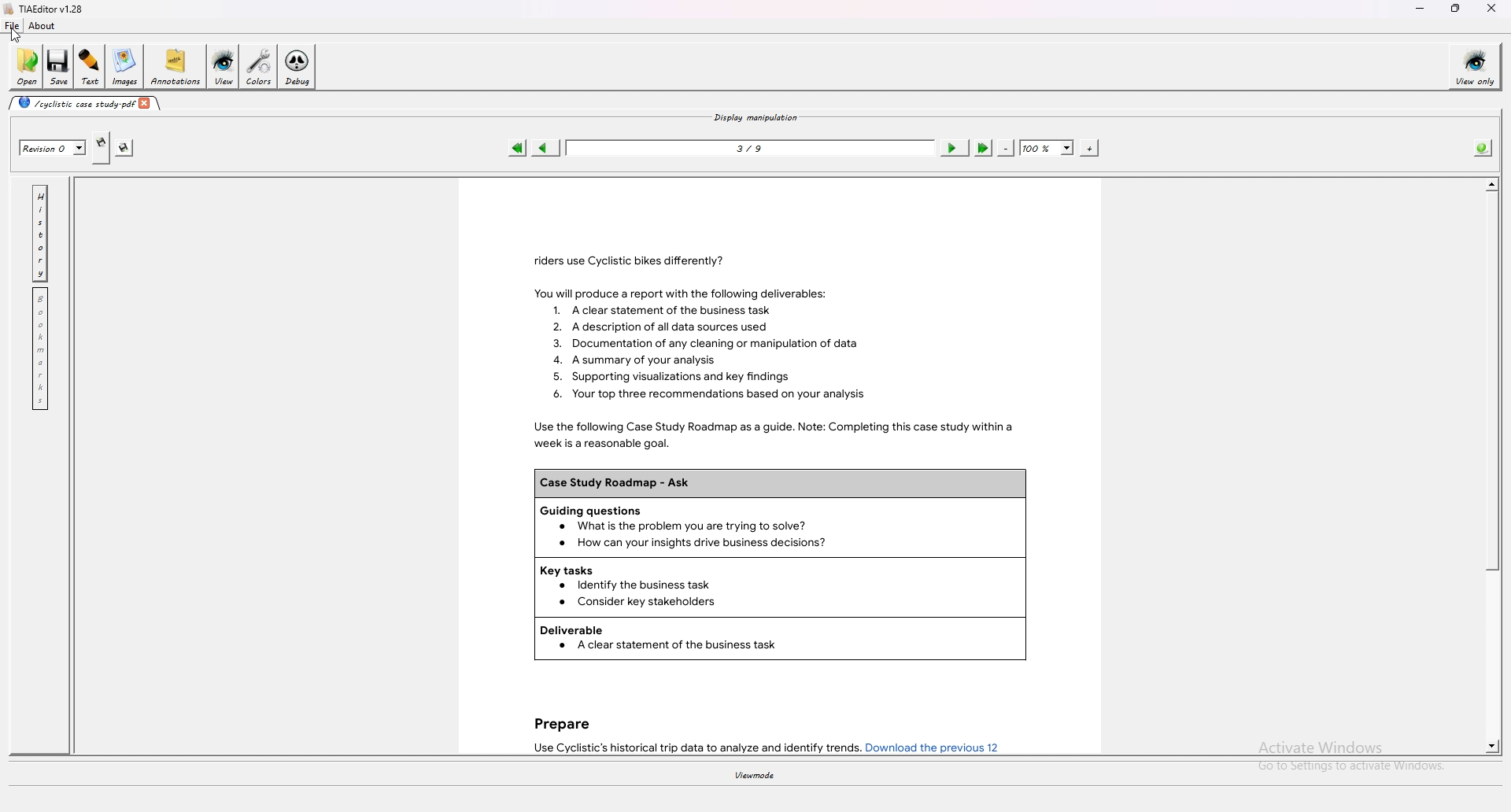  I want to click on 3/9, so click(751, 147).